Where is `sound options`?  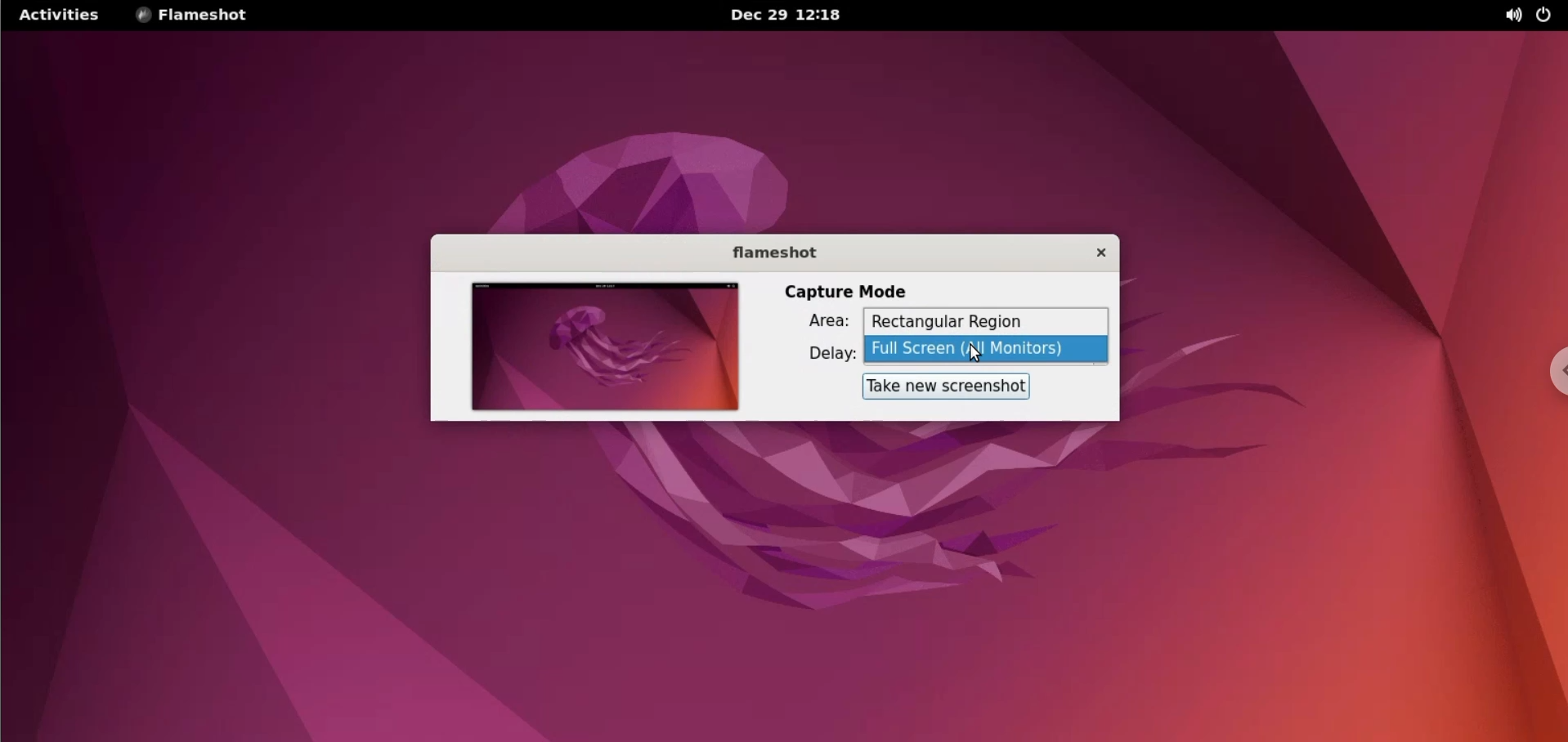 sound options is located at coordinates (1512, 17).